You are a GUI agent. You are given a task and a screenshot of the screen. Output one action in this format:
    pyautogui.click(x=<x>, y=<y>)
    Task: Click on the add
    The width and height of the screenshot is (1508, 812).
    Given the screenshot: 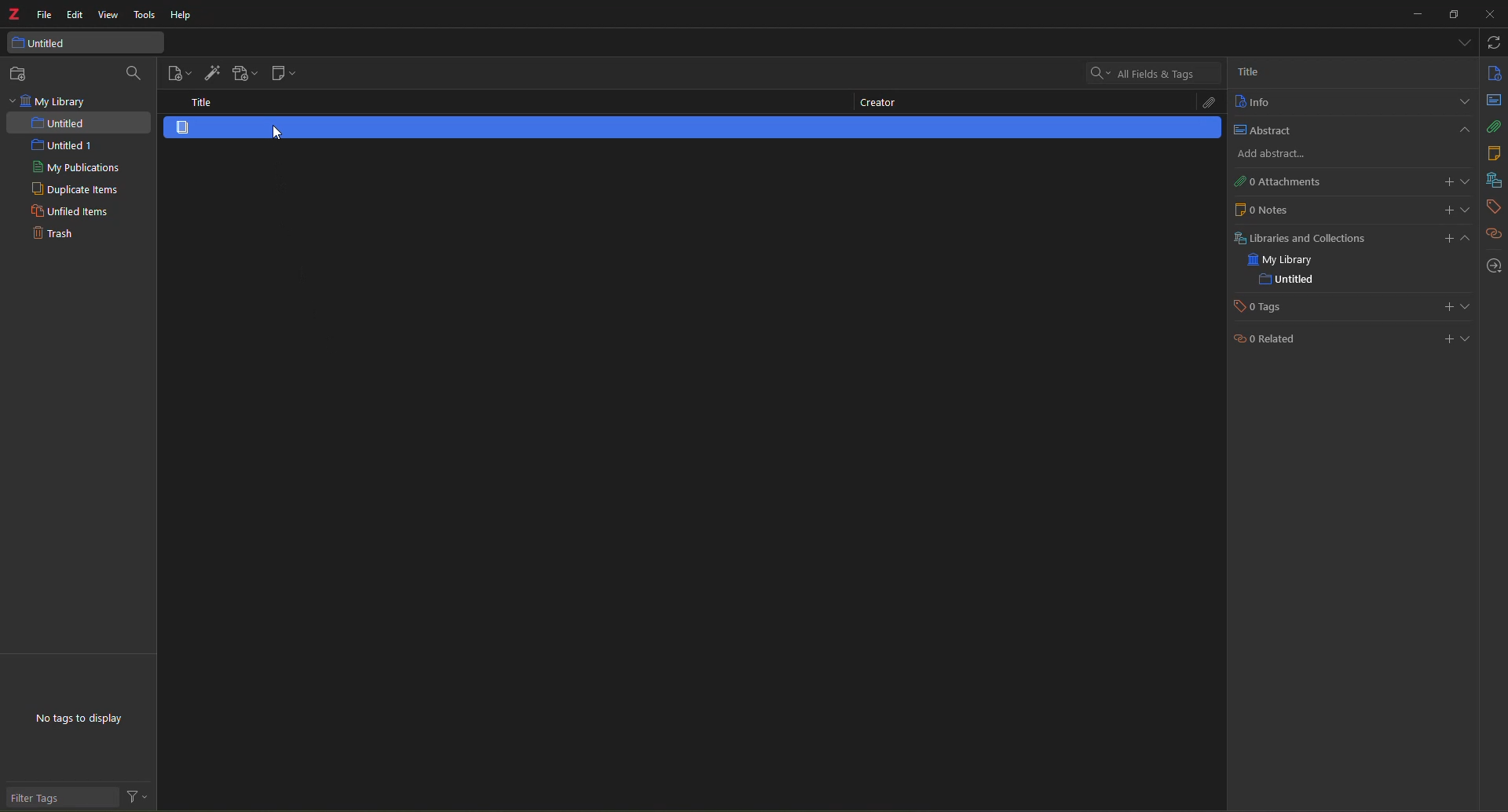 What is the action you would take?
    pyautogui.click(x=1448, y=209)
    